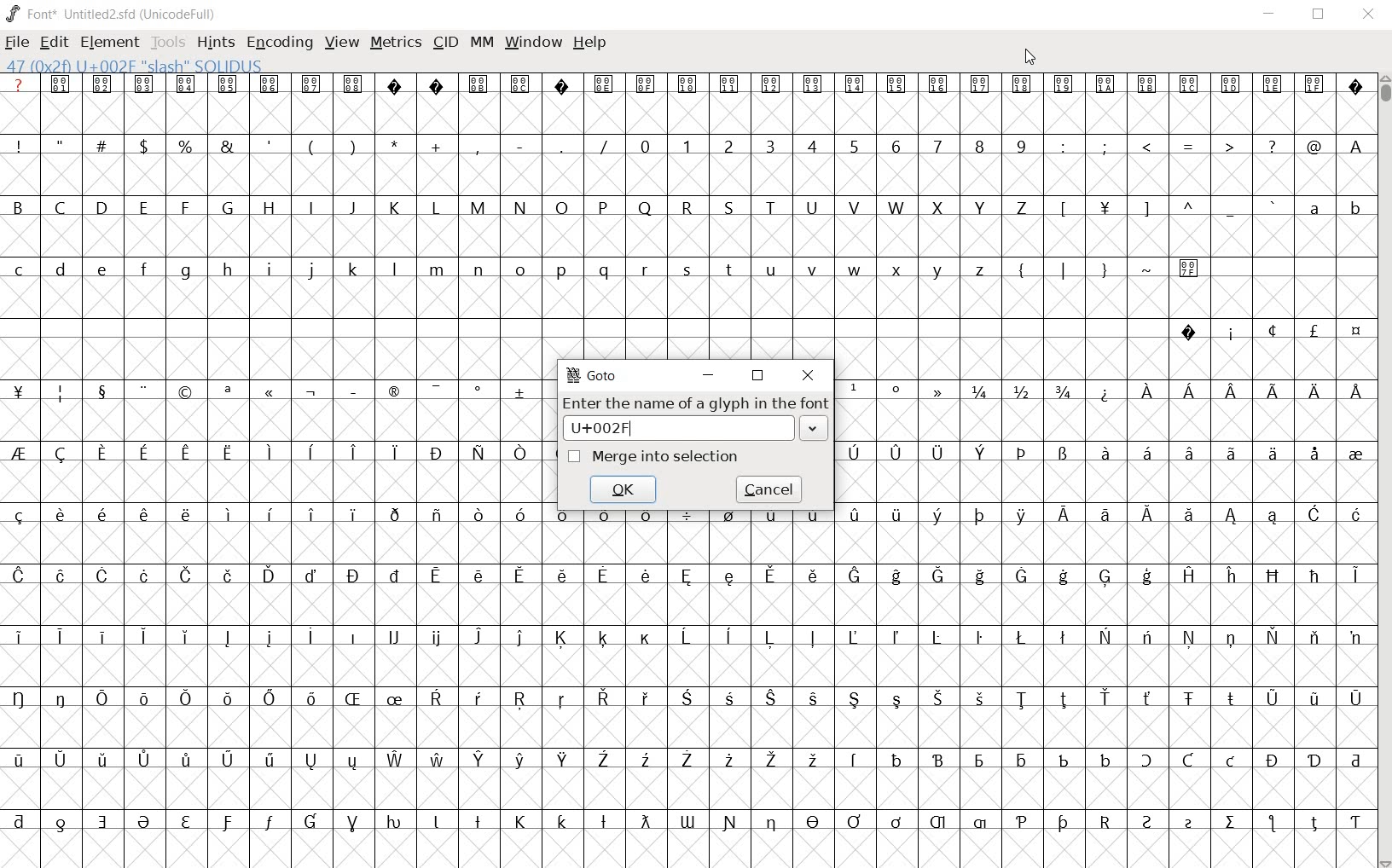 This screenshot has height=868, width=1392. I want to click on special letters, so click(686, 697).